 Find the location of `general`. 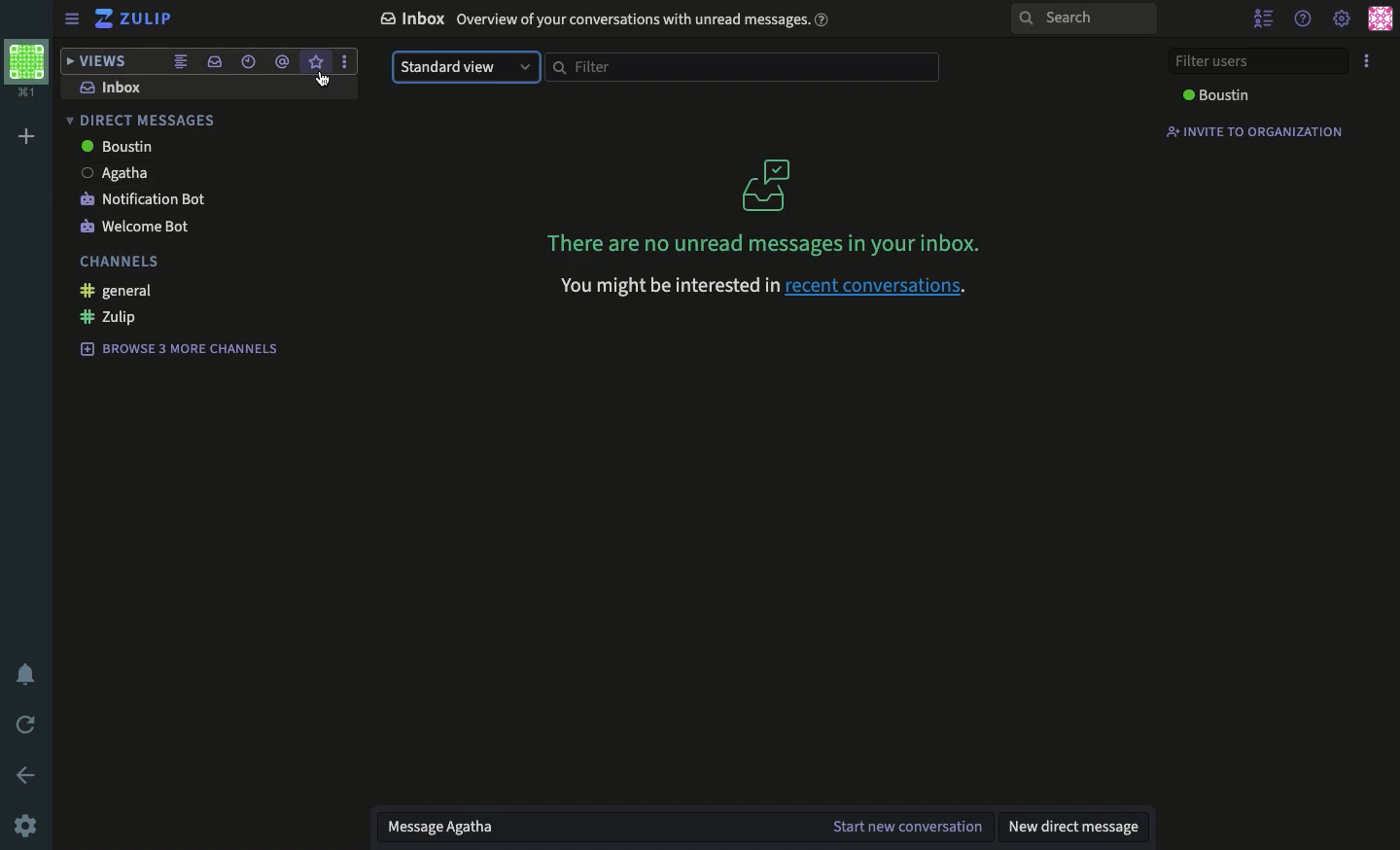

general is located at coordinates (112, 292).